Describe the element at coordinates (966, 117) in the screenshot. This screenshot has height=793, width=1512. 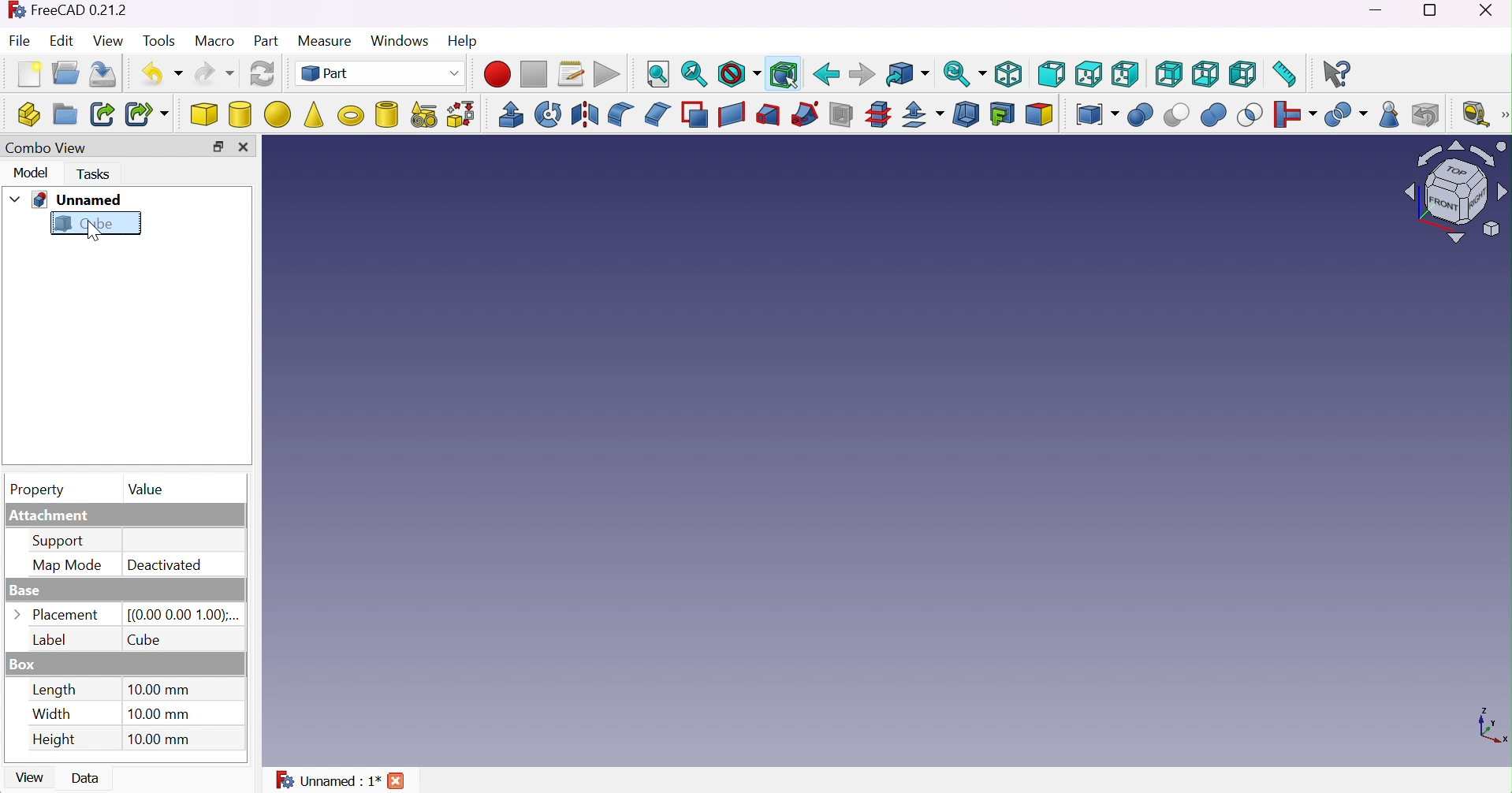
I see `Thickness` at that location.